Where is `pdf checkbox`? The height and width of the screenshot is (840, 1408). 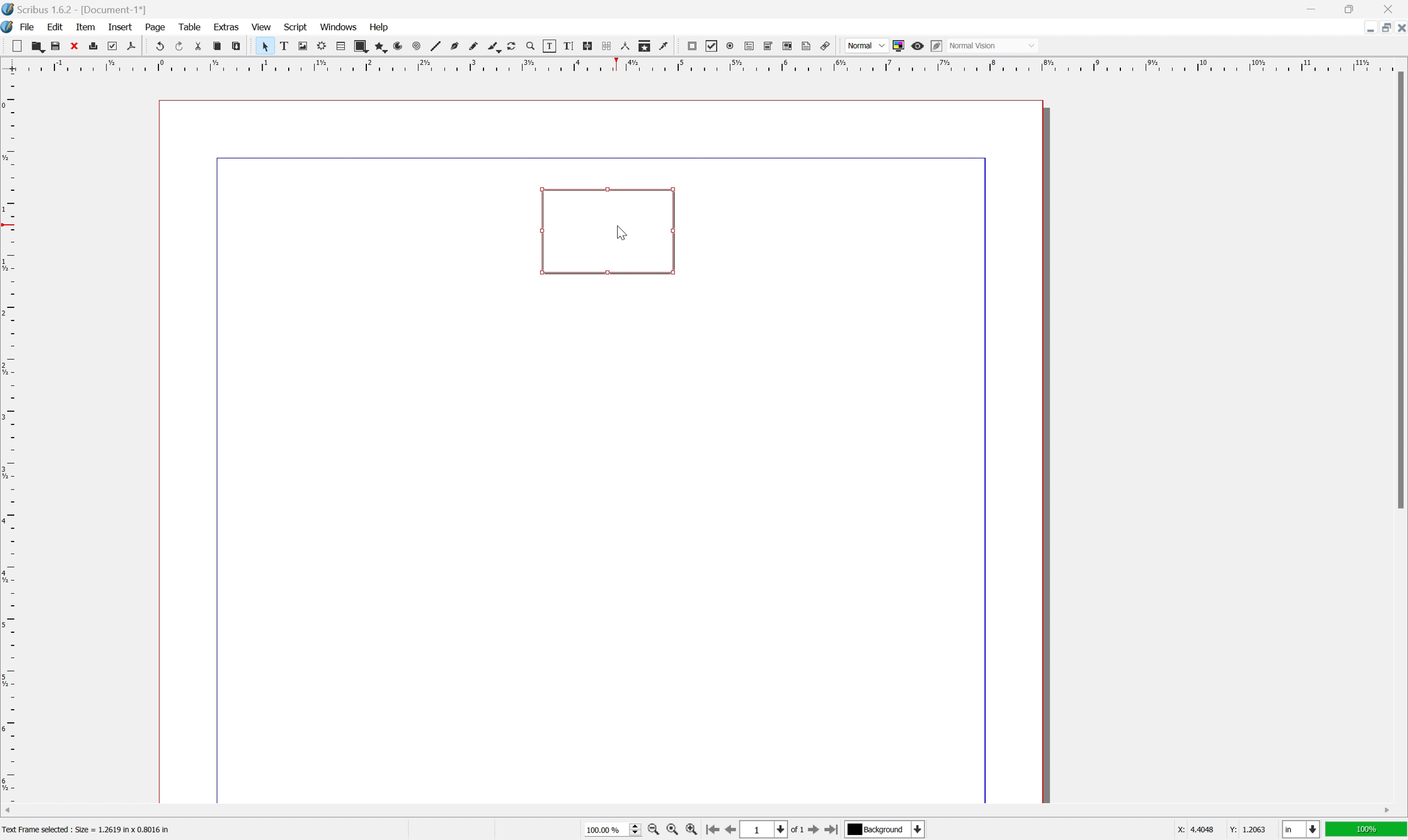
pdf checkbox is located at coordinates (712, 46).